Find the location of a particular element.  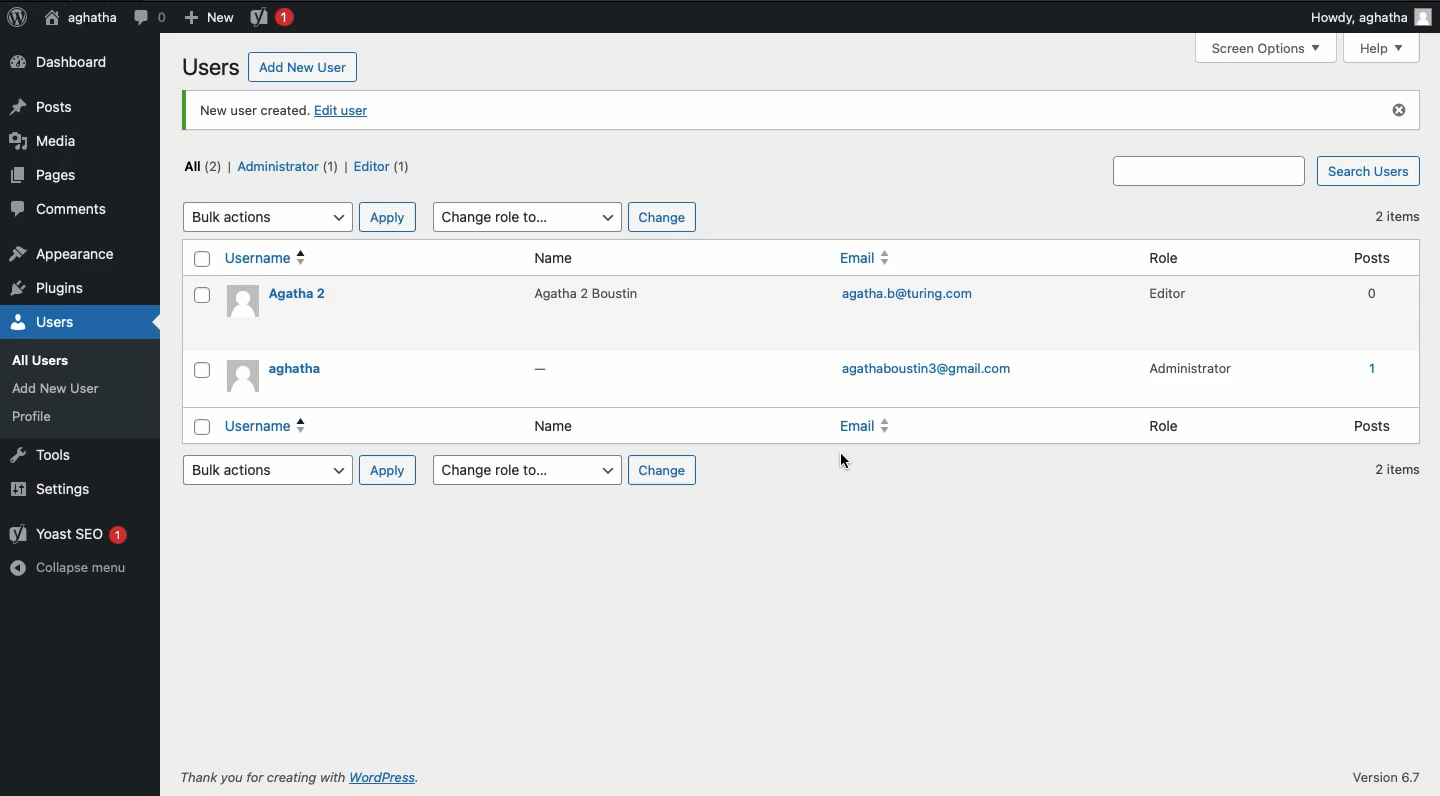

Search Users is located at coordinates (1368, 172).